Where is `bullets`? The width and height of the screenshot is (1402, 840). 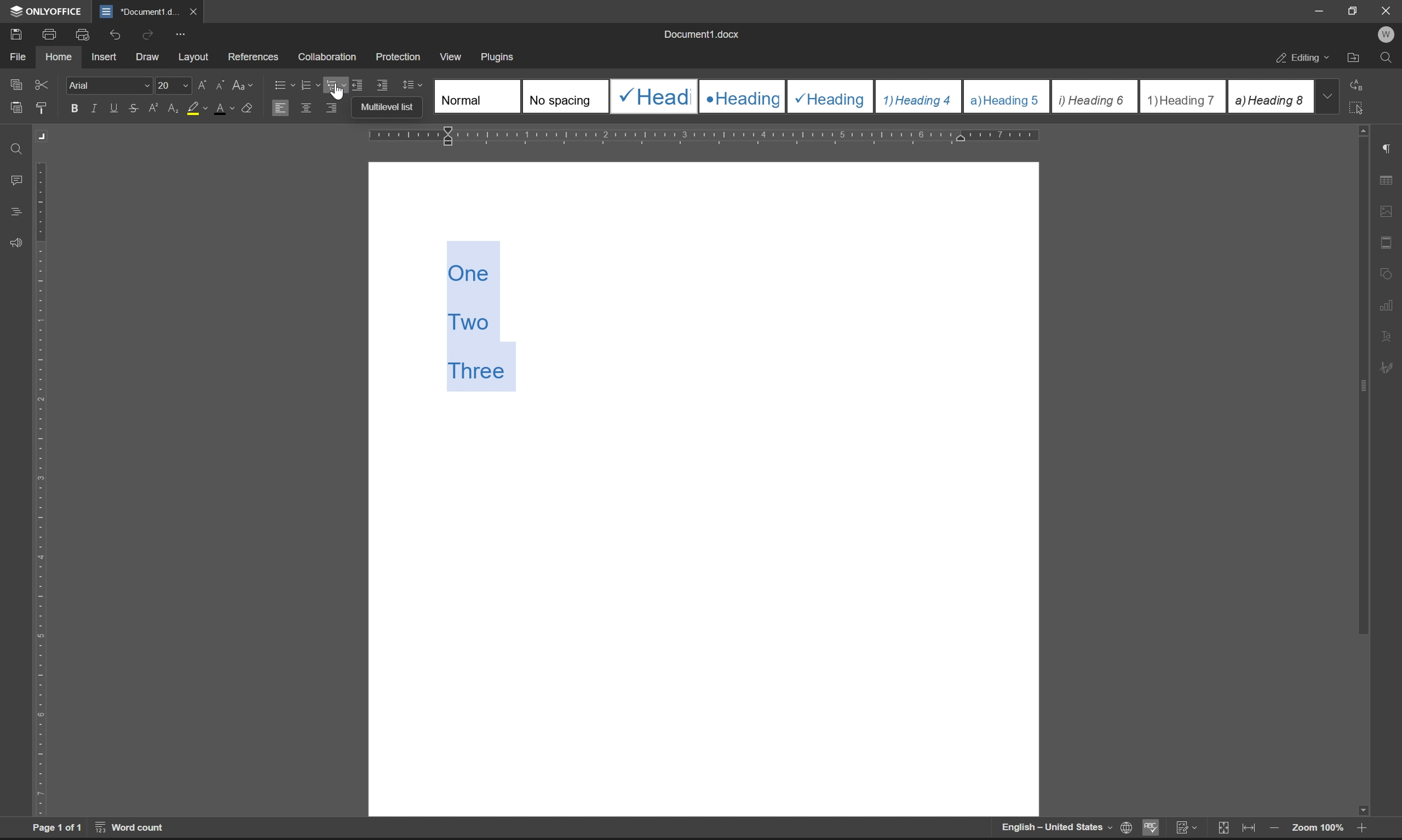
bullets is located at coordinates (282, 84).